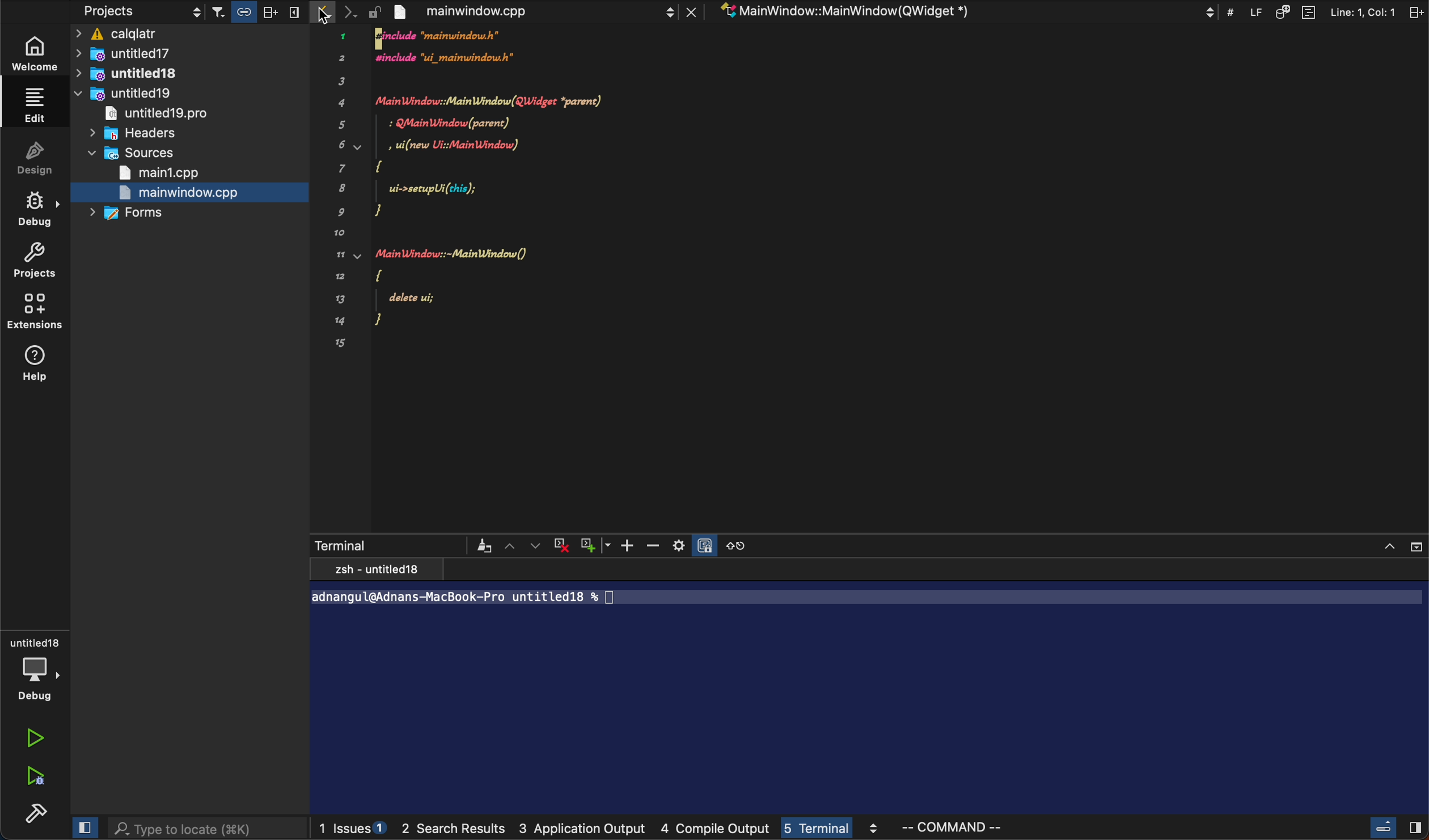 The image size is (1429, 840). I want to click on untitled 18, so click(141, 74).